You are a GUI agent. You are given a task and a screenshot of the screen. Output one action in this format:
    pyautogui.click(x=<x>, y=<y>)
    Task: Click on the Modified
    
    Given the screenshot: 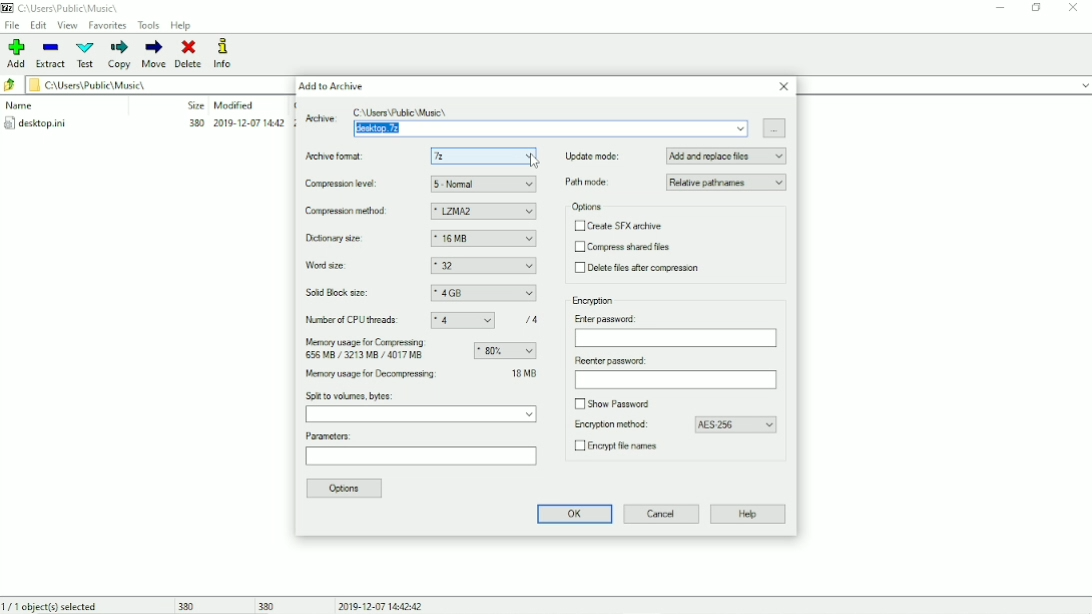 What is the action you would take?
    pyautogui.click(x=235, y=105)
    